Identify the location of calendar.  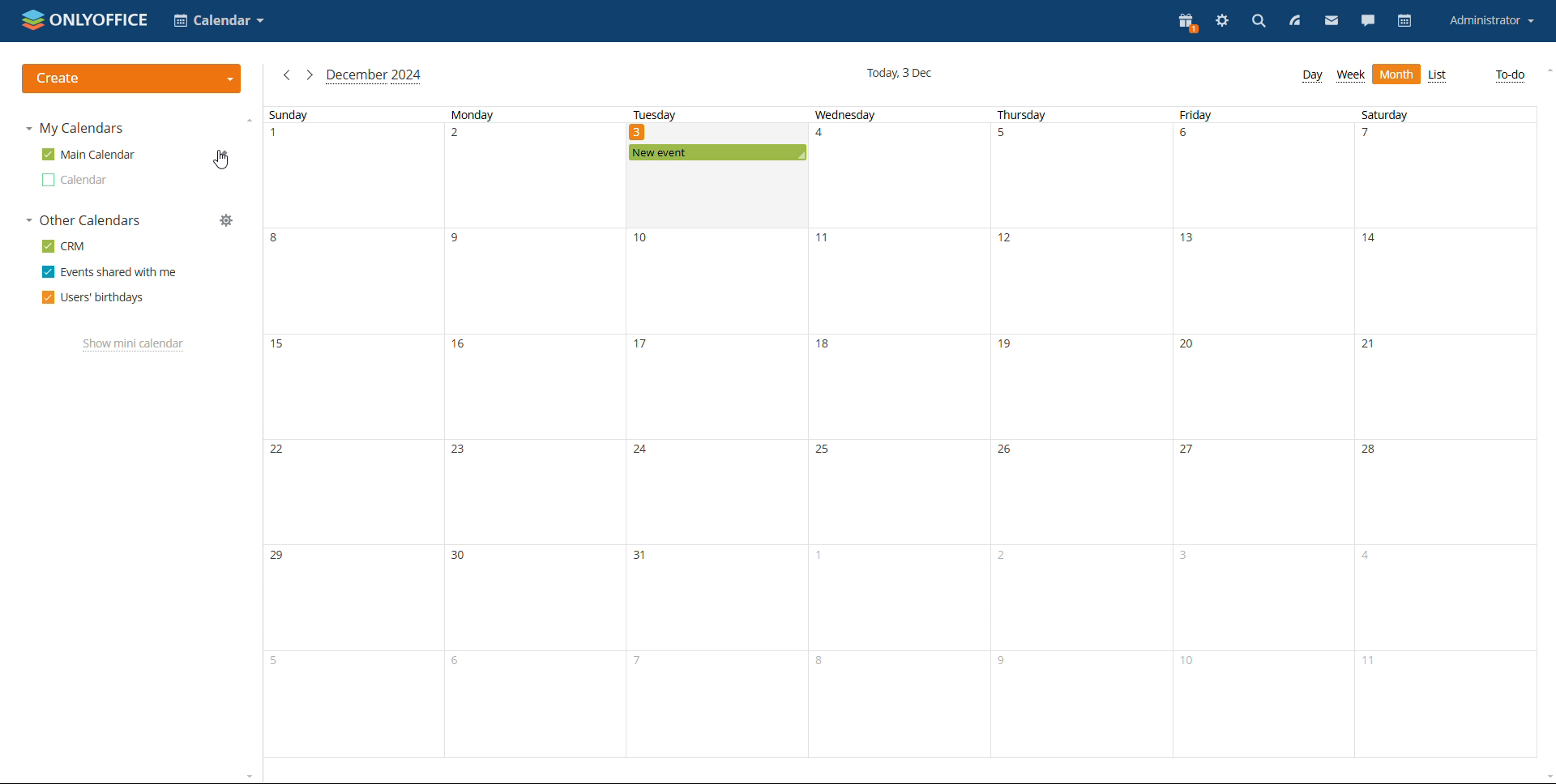
(1404, 21).